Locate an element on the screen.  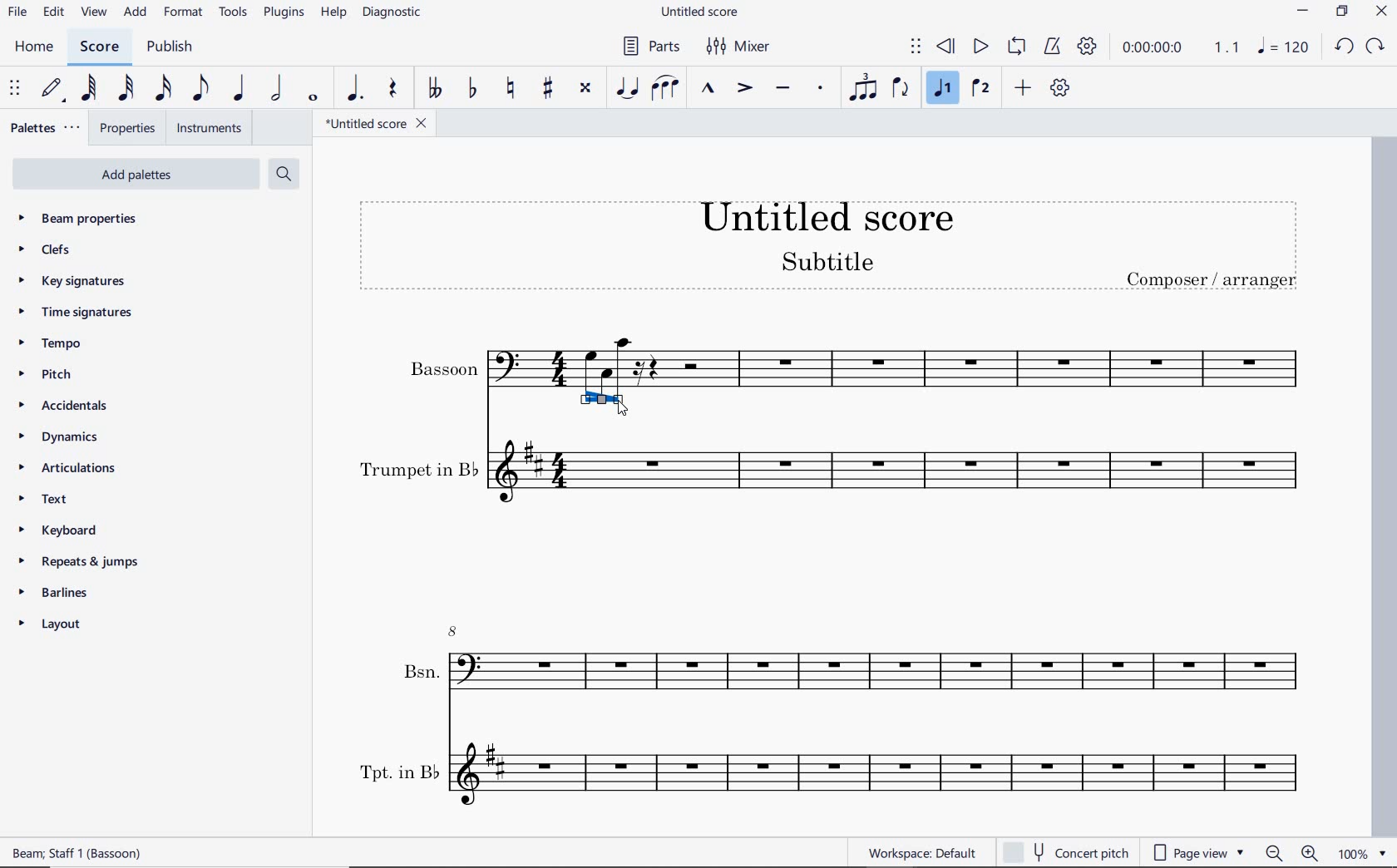
accidentals is located at coordinates (67, 404).